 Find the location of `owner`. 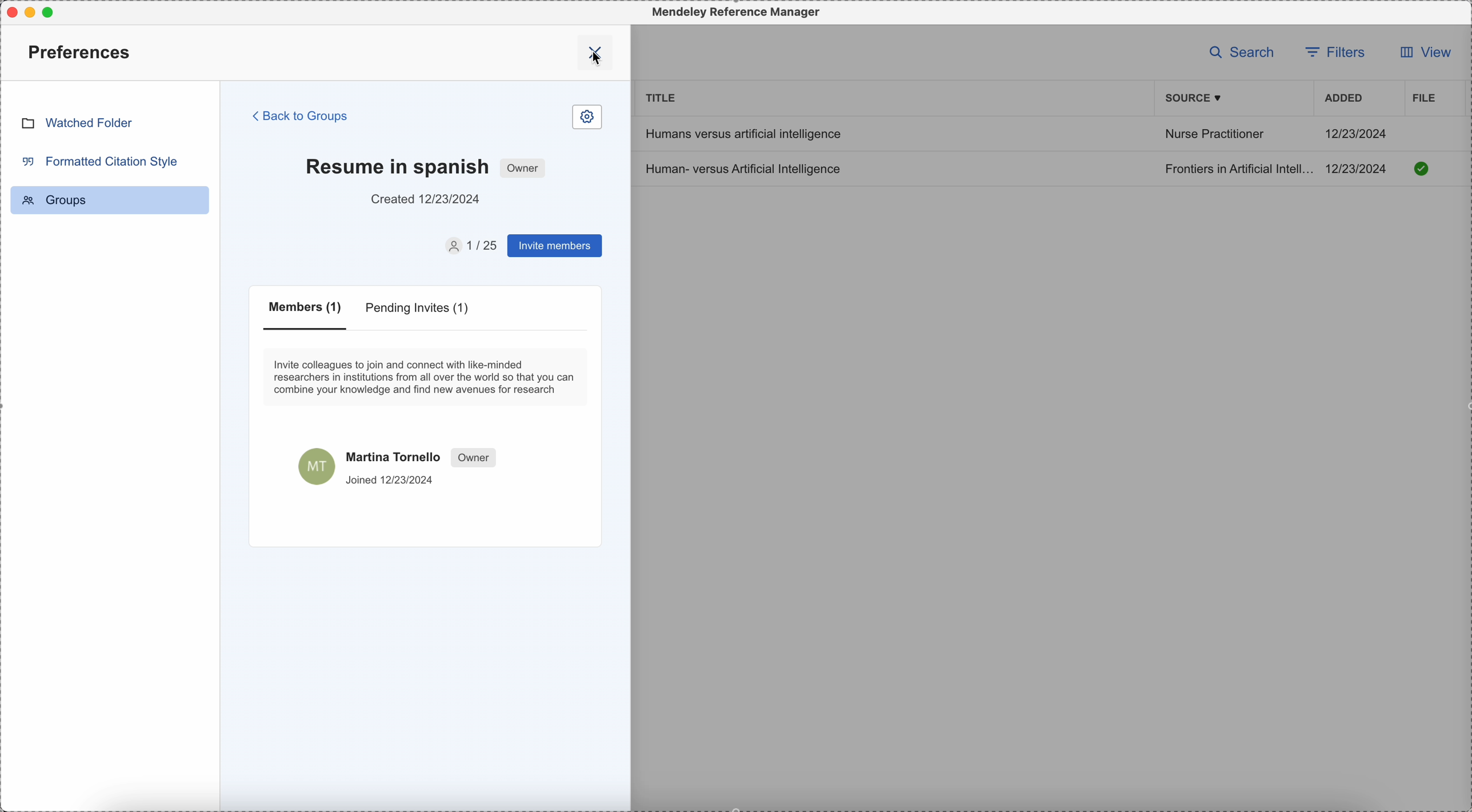

owner is located at coordinates (523, 167).